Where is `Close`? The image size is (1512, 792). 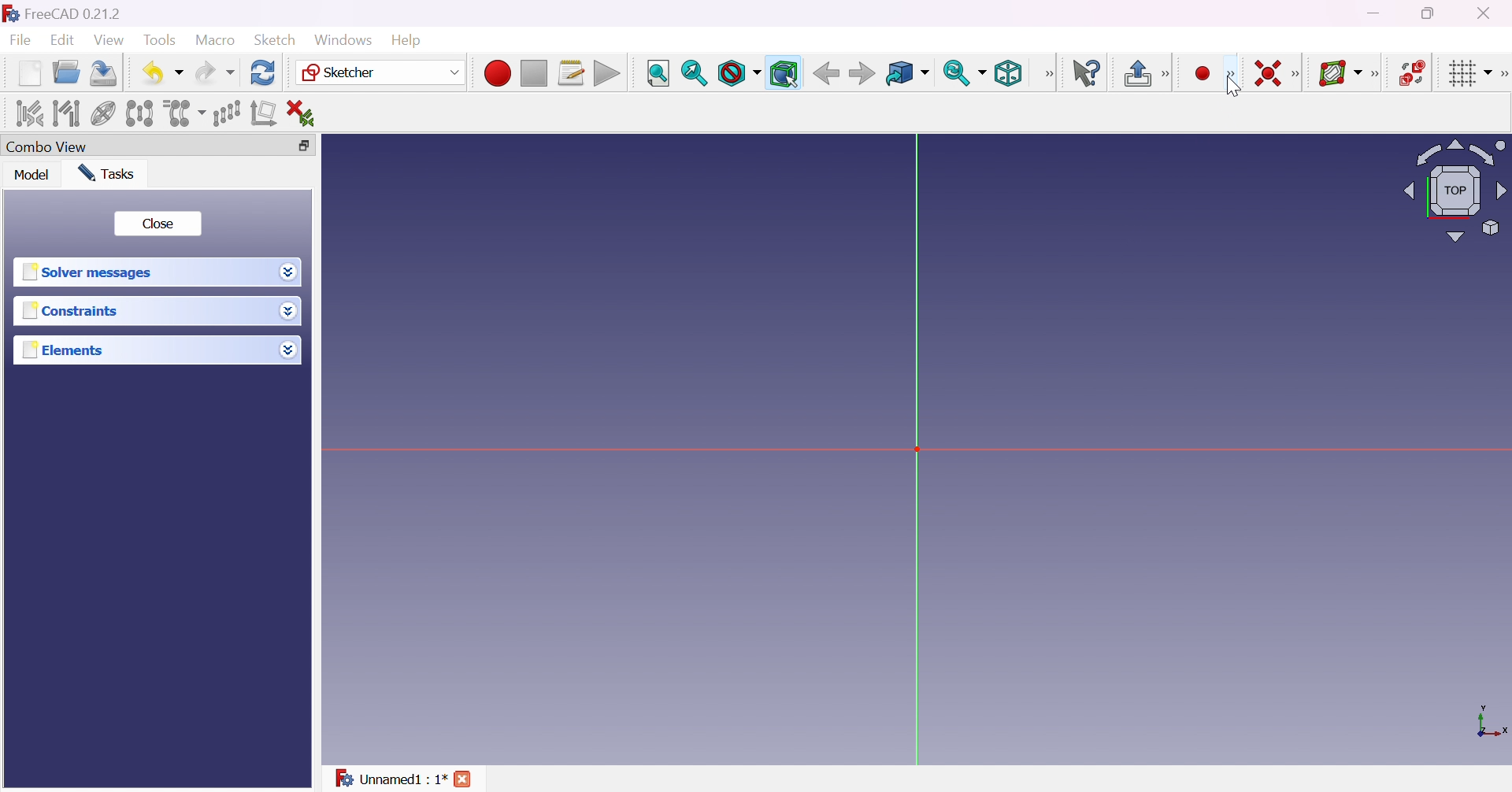 Close is located at coordinates (157, 224).